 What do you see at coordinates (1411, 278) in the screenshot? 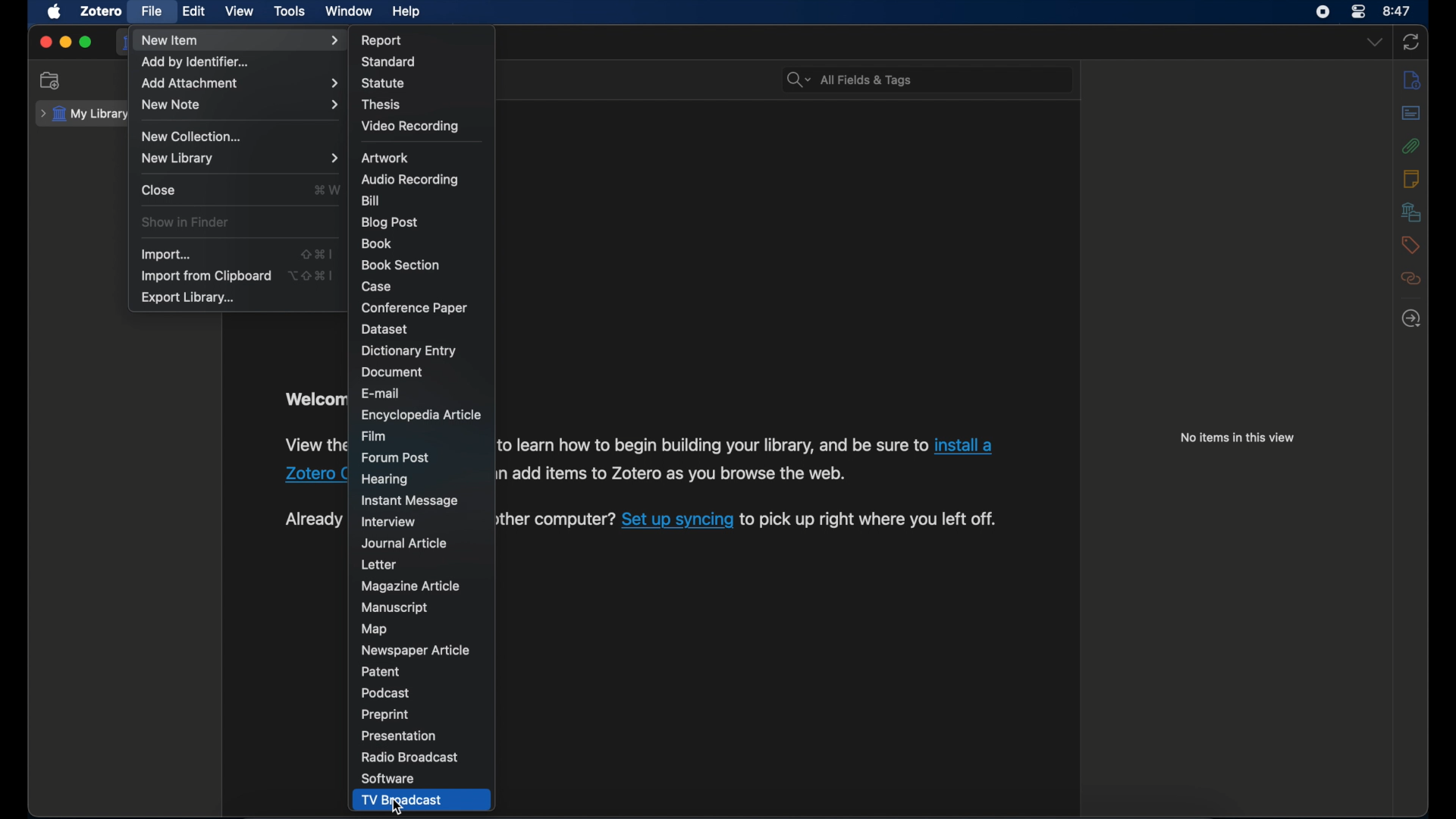
I see `related` at bounding box center [1411, 278].